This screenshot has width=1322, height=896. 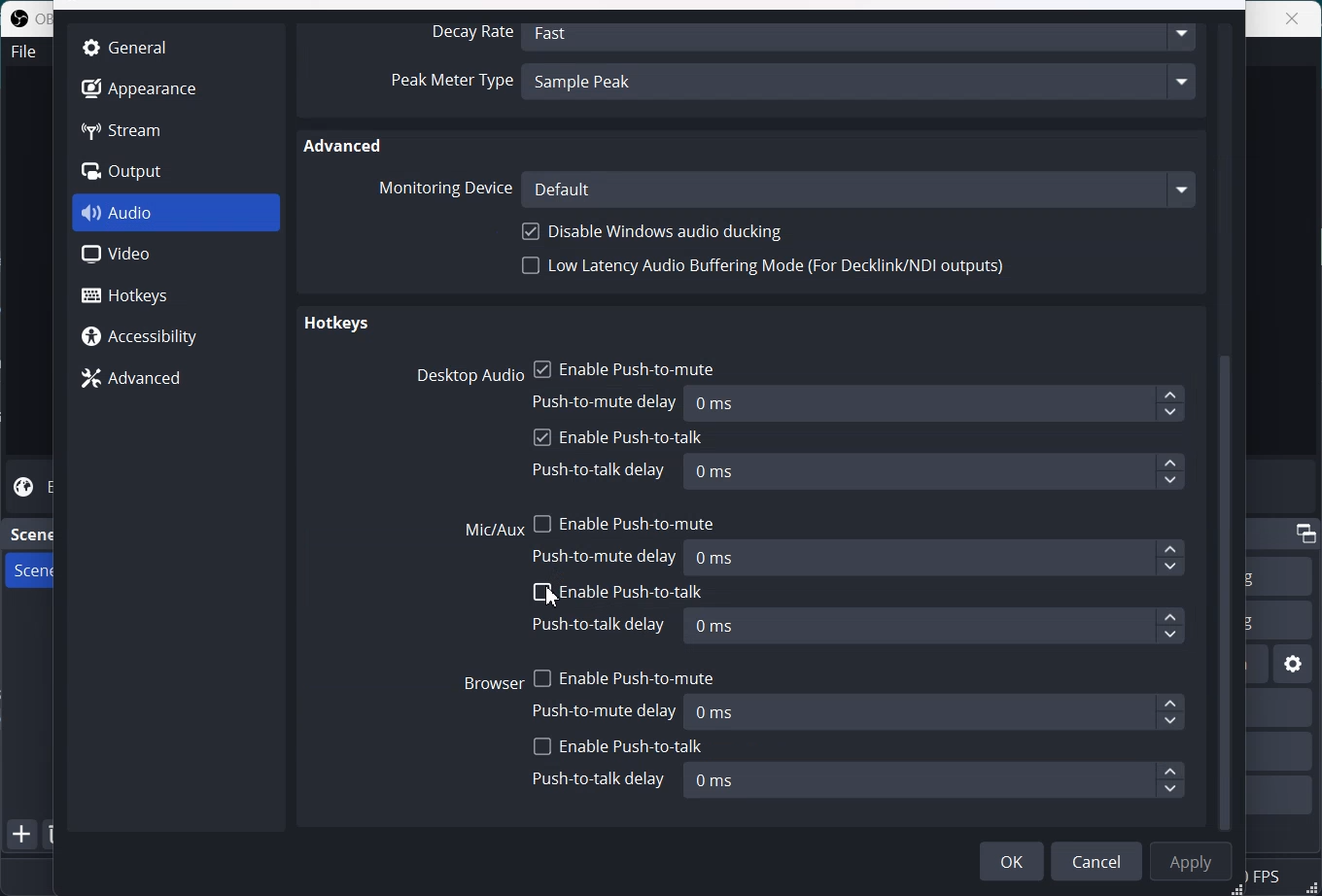 I want to click on Browser, so click(x=494, y=681).